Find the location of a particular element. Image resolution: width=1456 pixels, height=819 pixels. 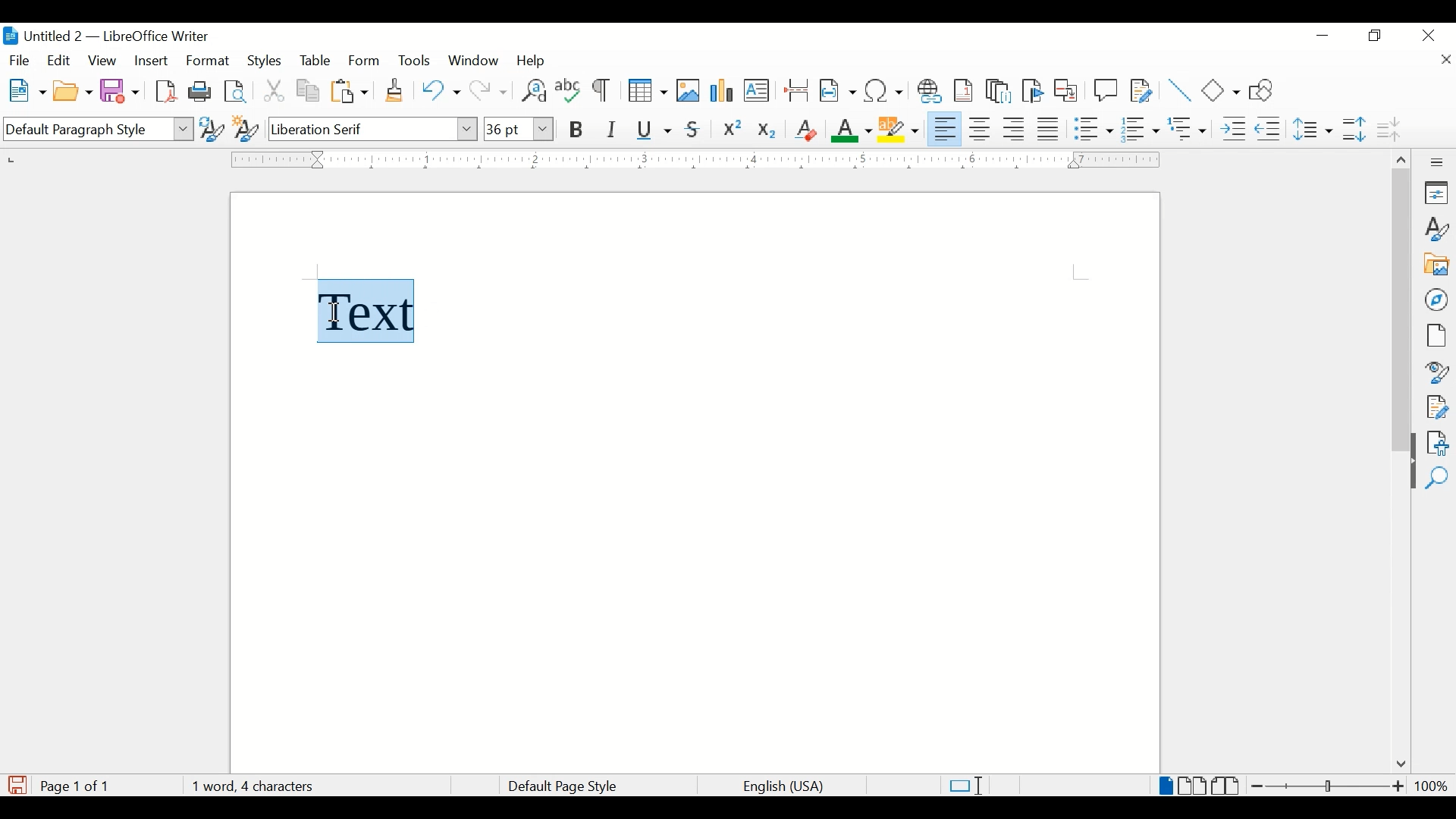

justify is located at coordinates (1049, 129).